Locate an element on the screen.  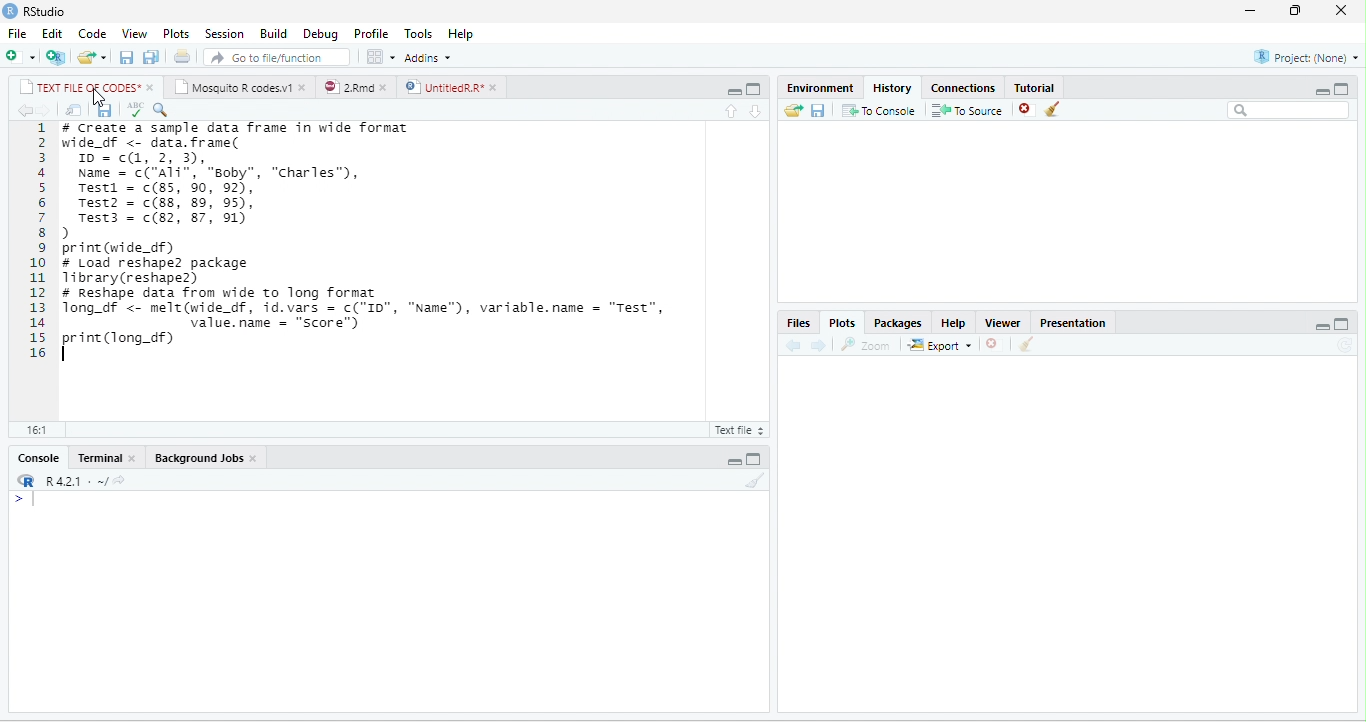
Presentation is located at coordinates (1072, 323).